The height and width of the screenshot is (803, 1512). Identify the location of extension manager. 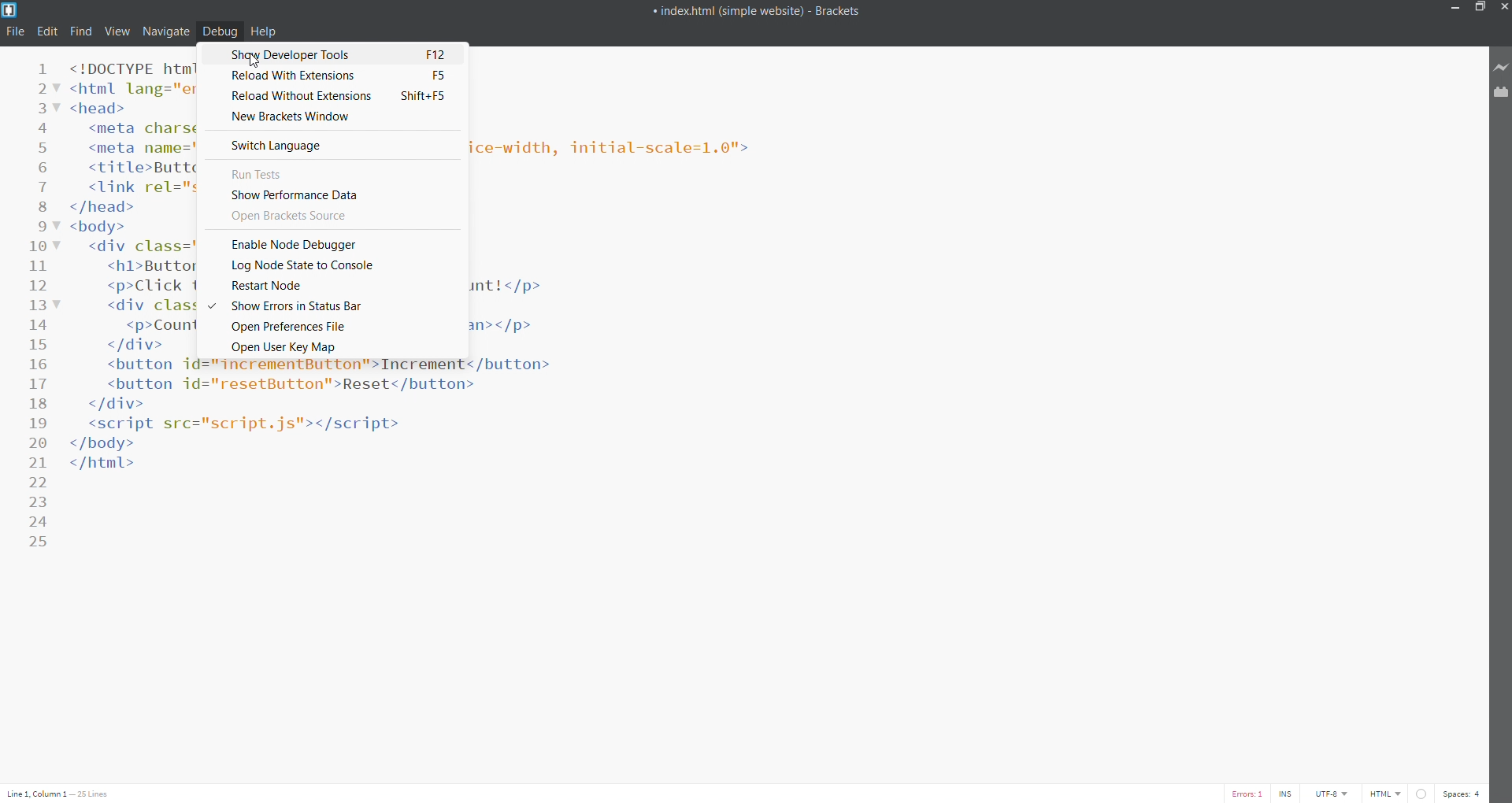
(1499, 98).